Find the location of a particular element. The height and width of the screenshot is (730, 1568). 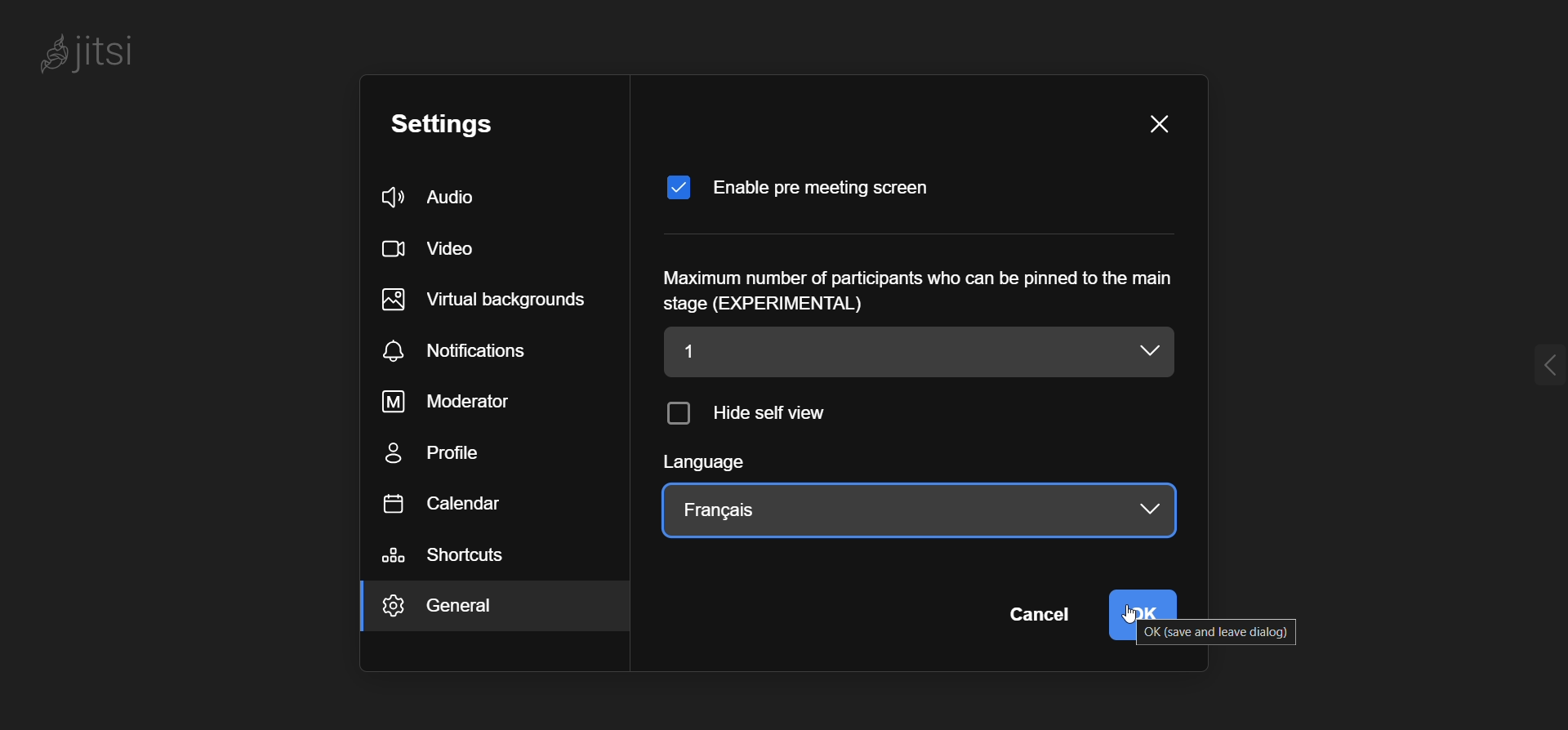

Francais is located at coordinates (720, 510).